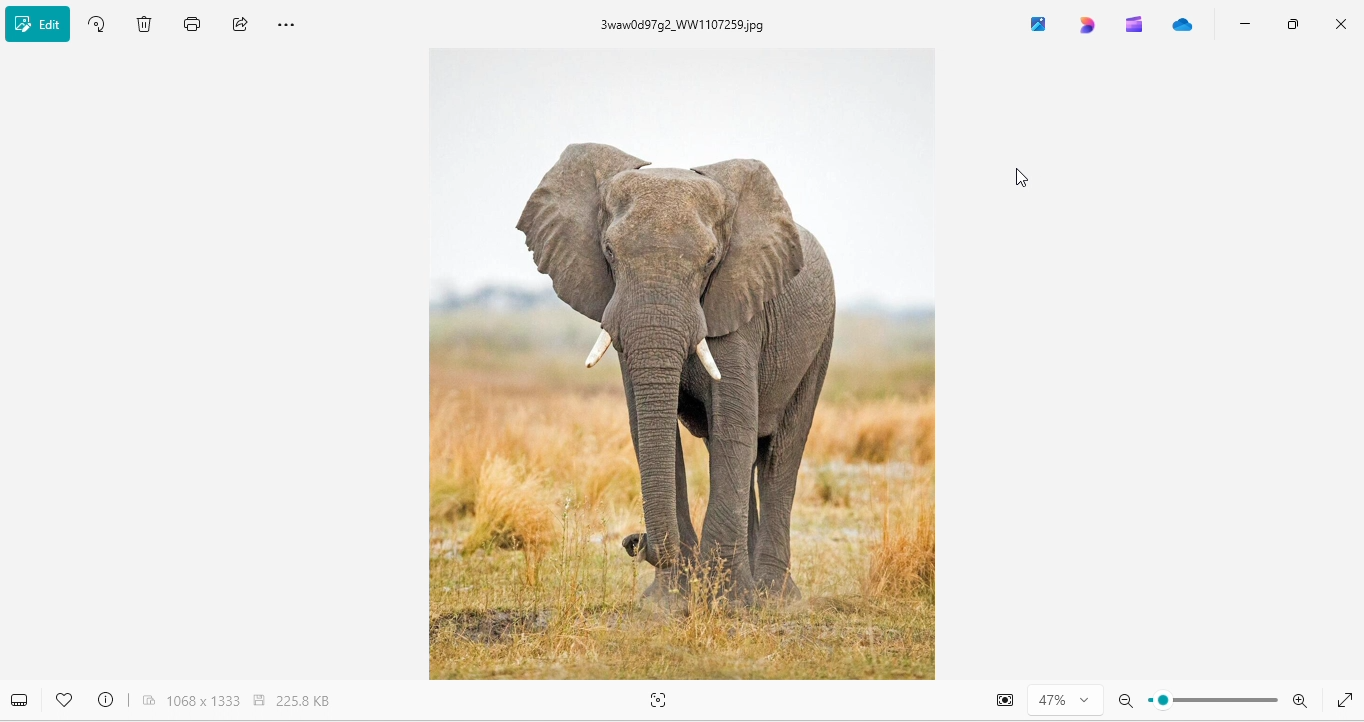 This screenshot has height=722, width=1364. What do you see at coordinates (248, 701) in the screenshot?
I see `1068x1333    225.8 kb` at bounding box center [248, 701].